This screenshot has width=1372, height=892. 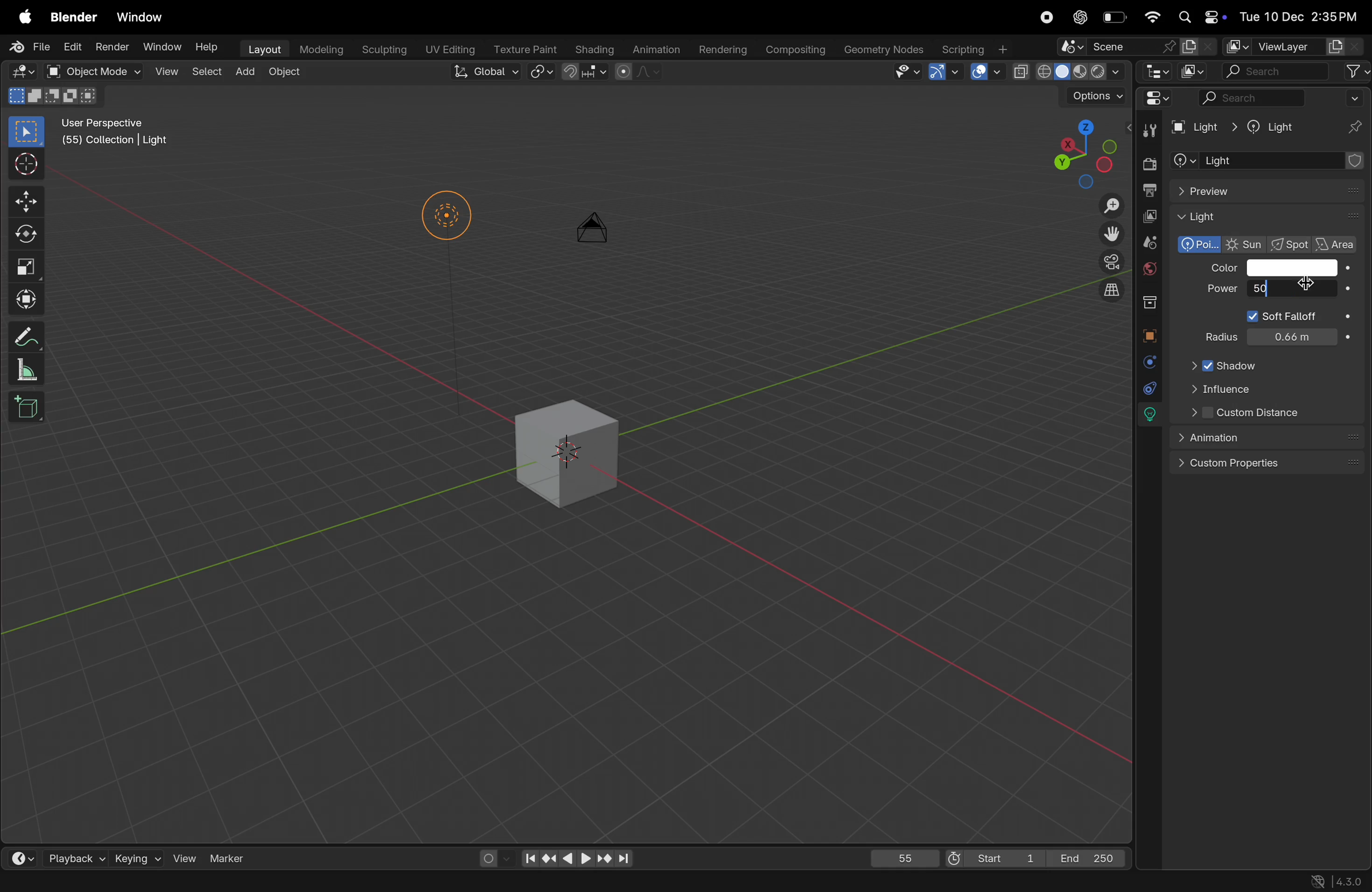 I want to click on wifi, so click(x=1149, y=16).